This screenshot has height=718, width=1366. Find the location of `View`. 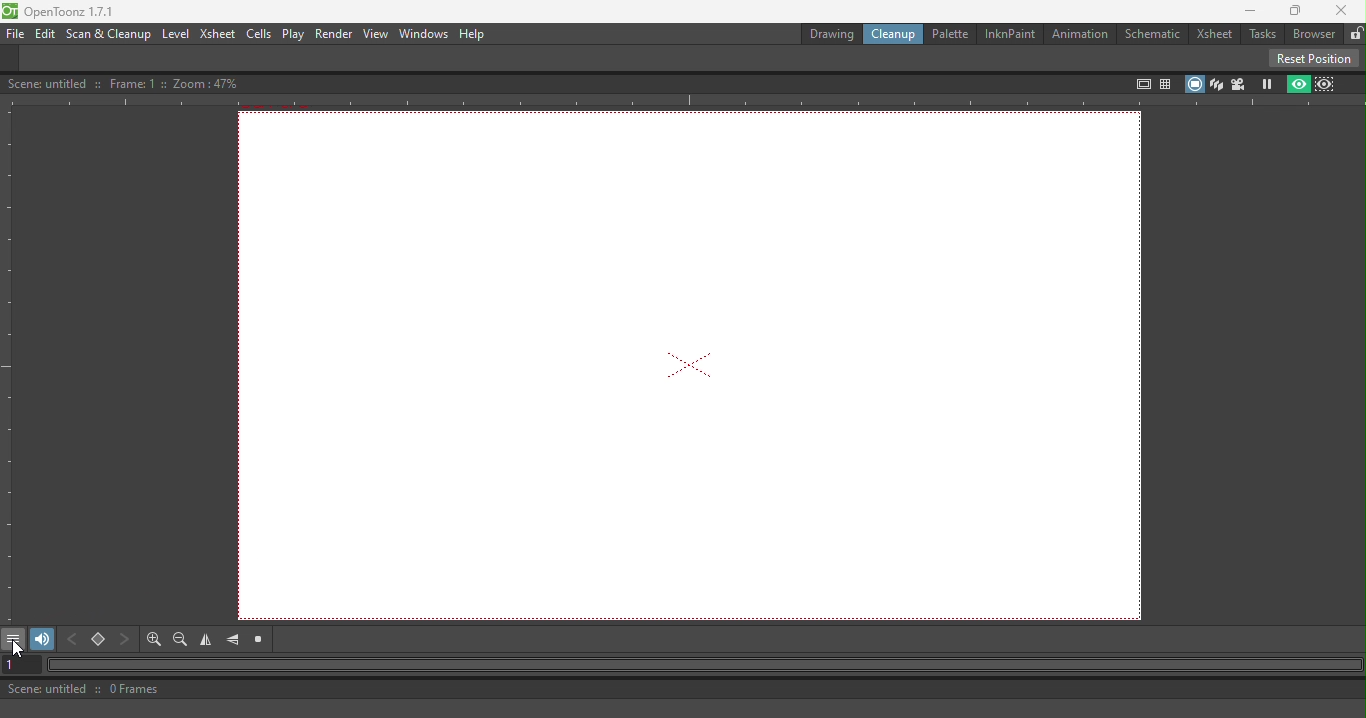

View is located at coordinates (375, 34).